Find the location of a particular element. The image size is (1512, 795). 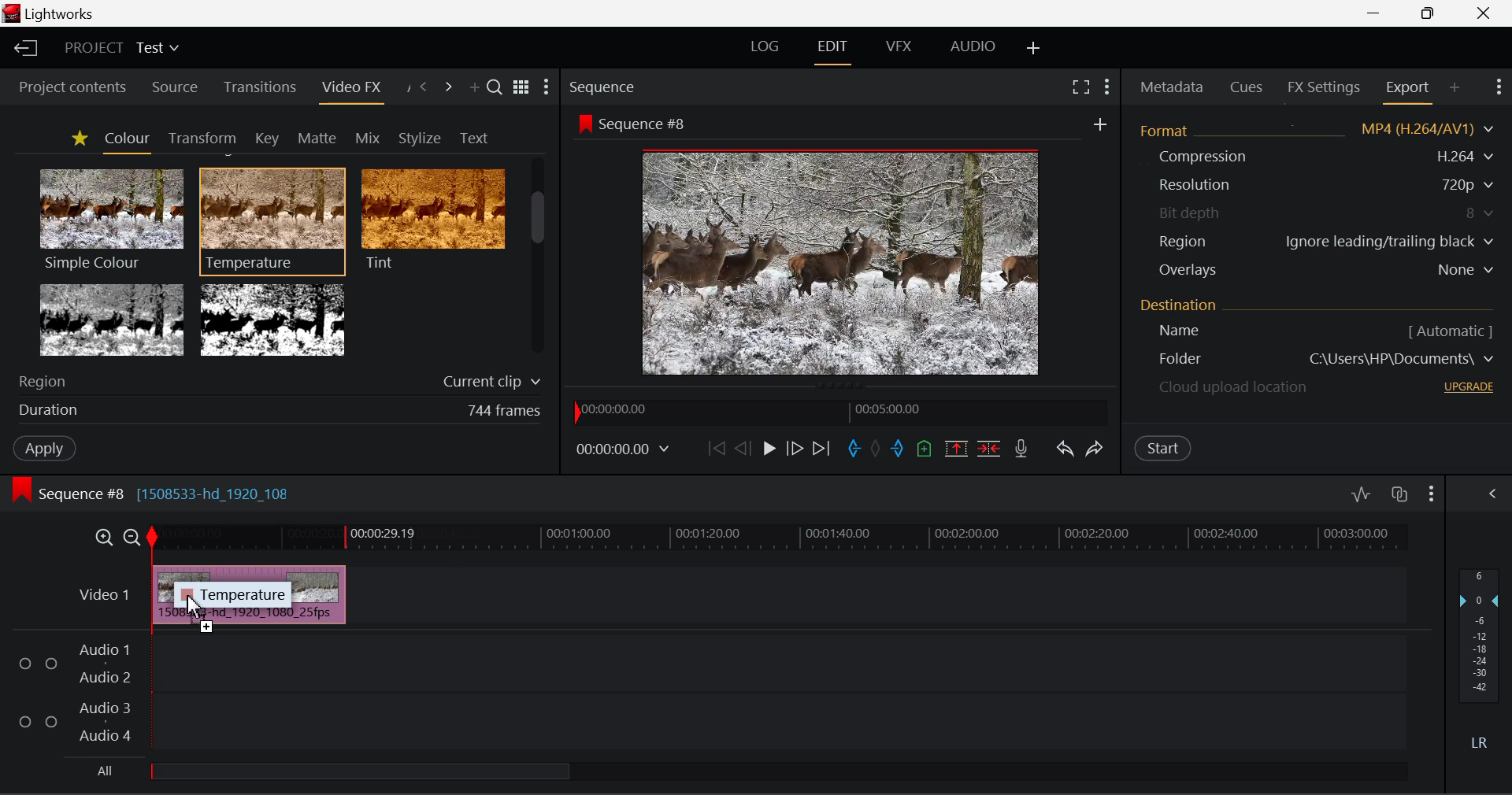

00:00:00.00 is located at coordinates (625, 449).